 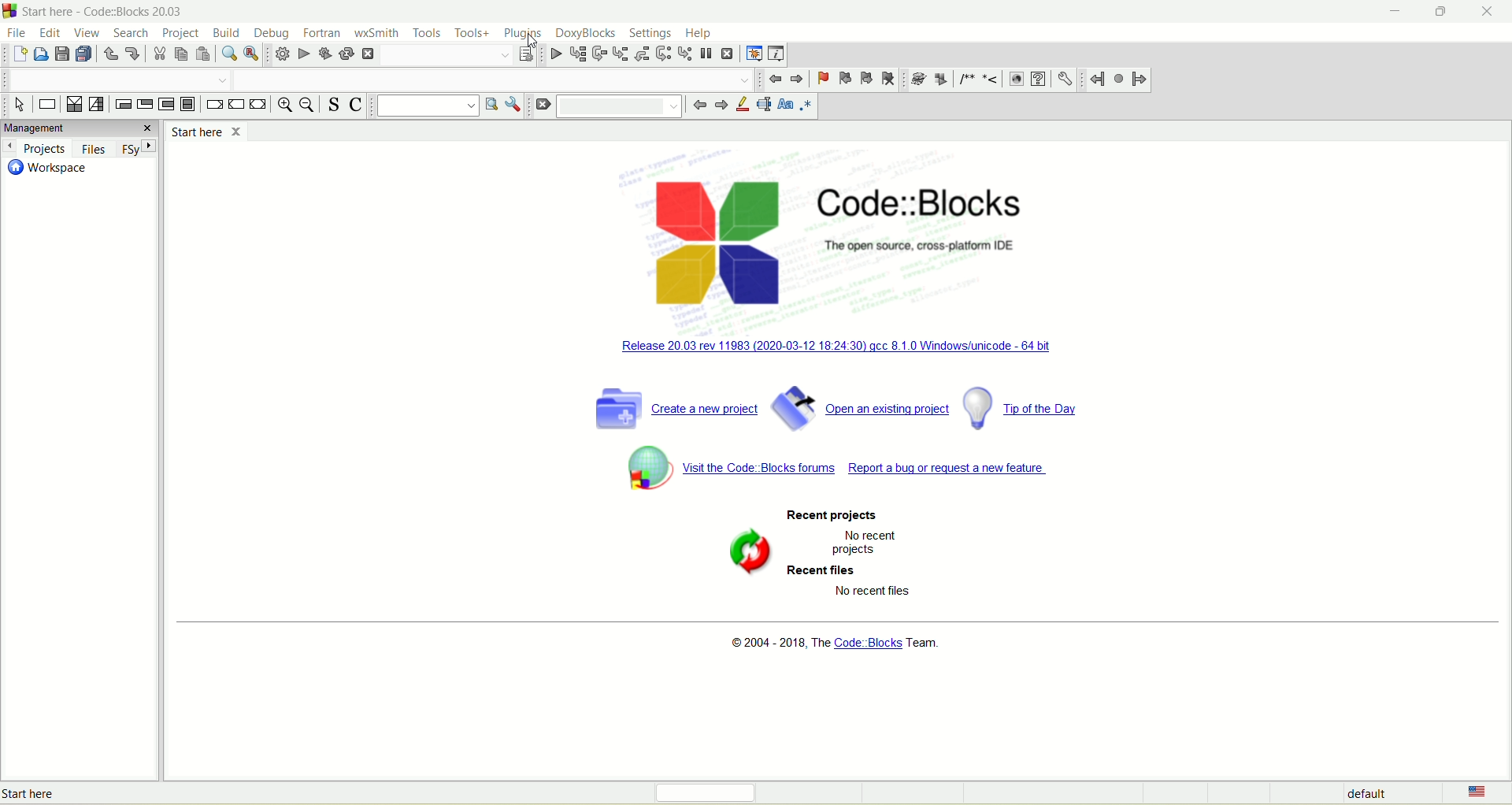 What do you see at coordinates (157, 57) in the screenshot?
I see `cut` at bounding box center [157, 57].